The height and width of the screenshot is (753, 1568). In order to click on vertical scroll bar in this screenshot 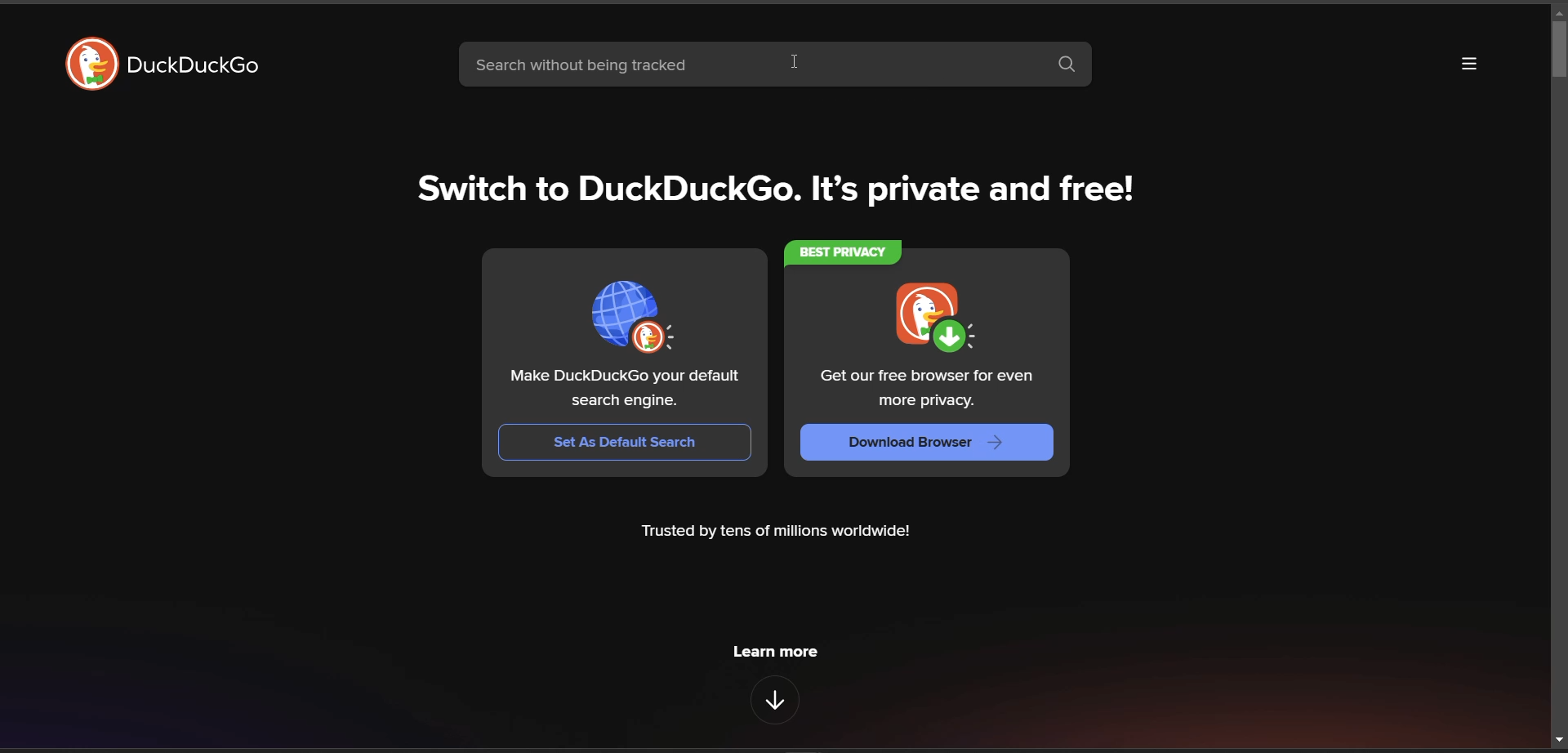, I will do `click(1558, 48)`.